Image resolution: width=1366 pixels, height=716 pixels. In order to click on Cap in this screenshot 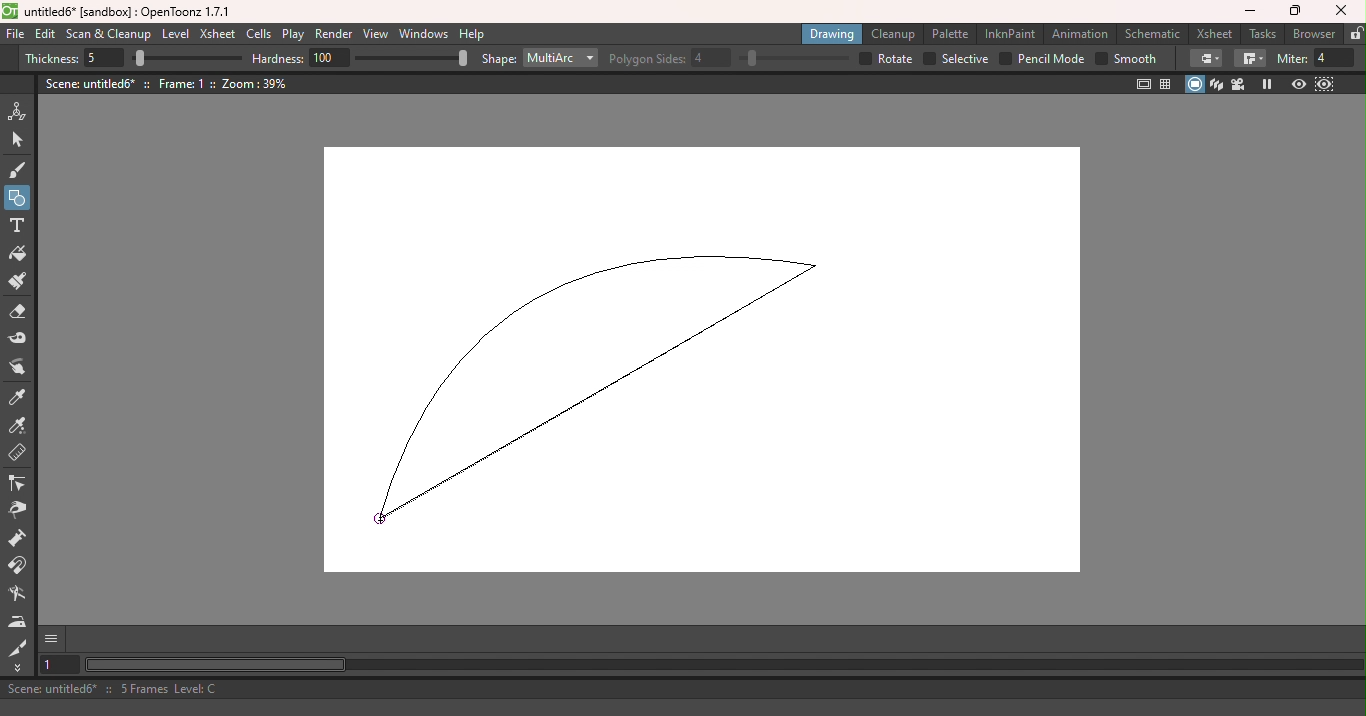, I will do `click(1205, 59)`.